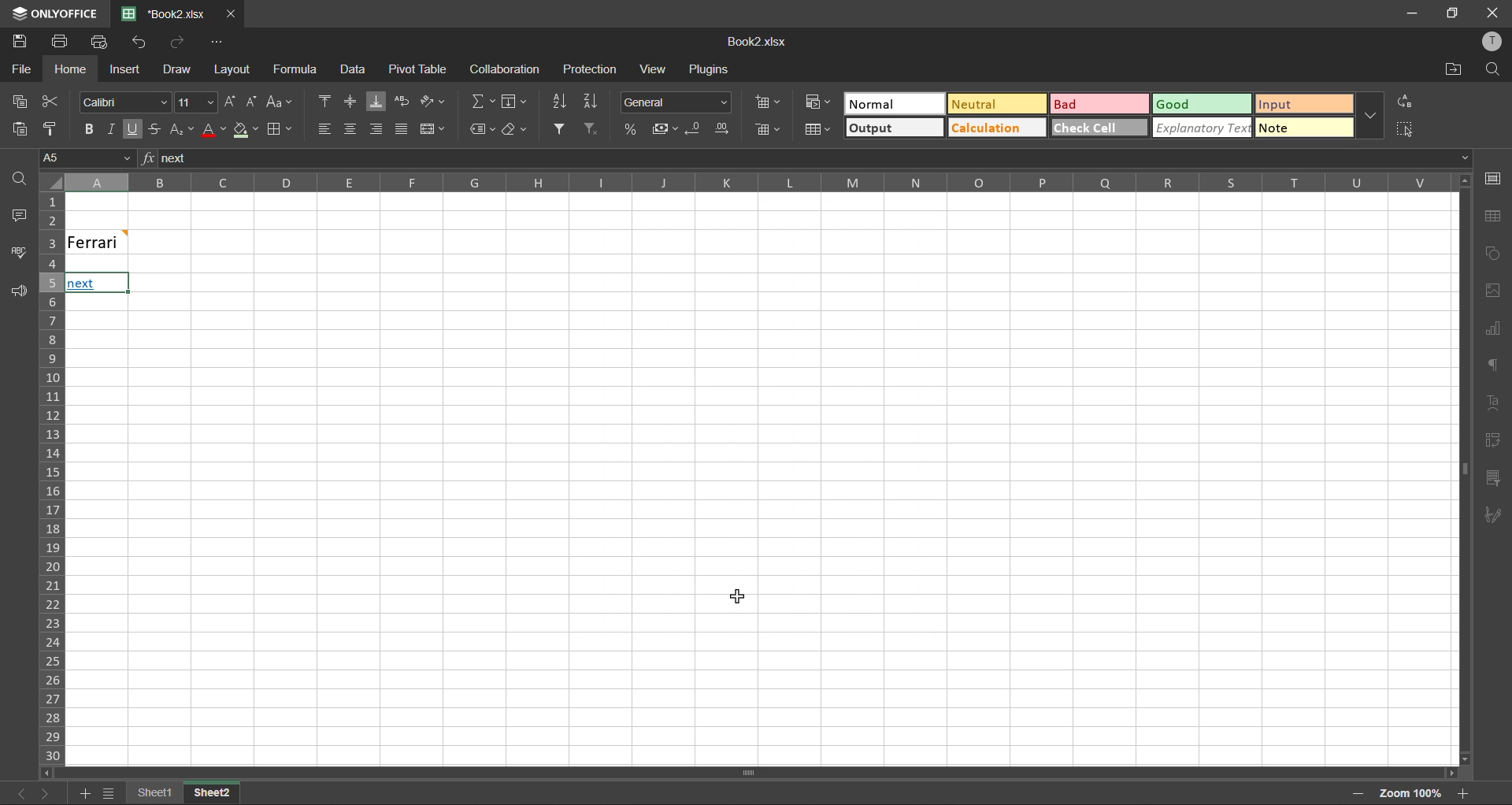 This screenshot has height=805, width=1512. I want to click on conditional formatting, so click(815, 102).